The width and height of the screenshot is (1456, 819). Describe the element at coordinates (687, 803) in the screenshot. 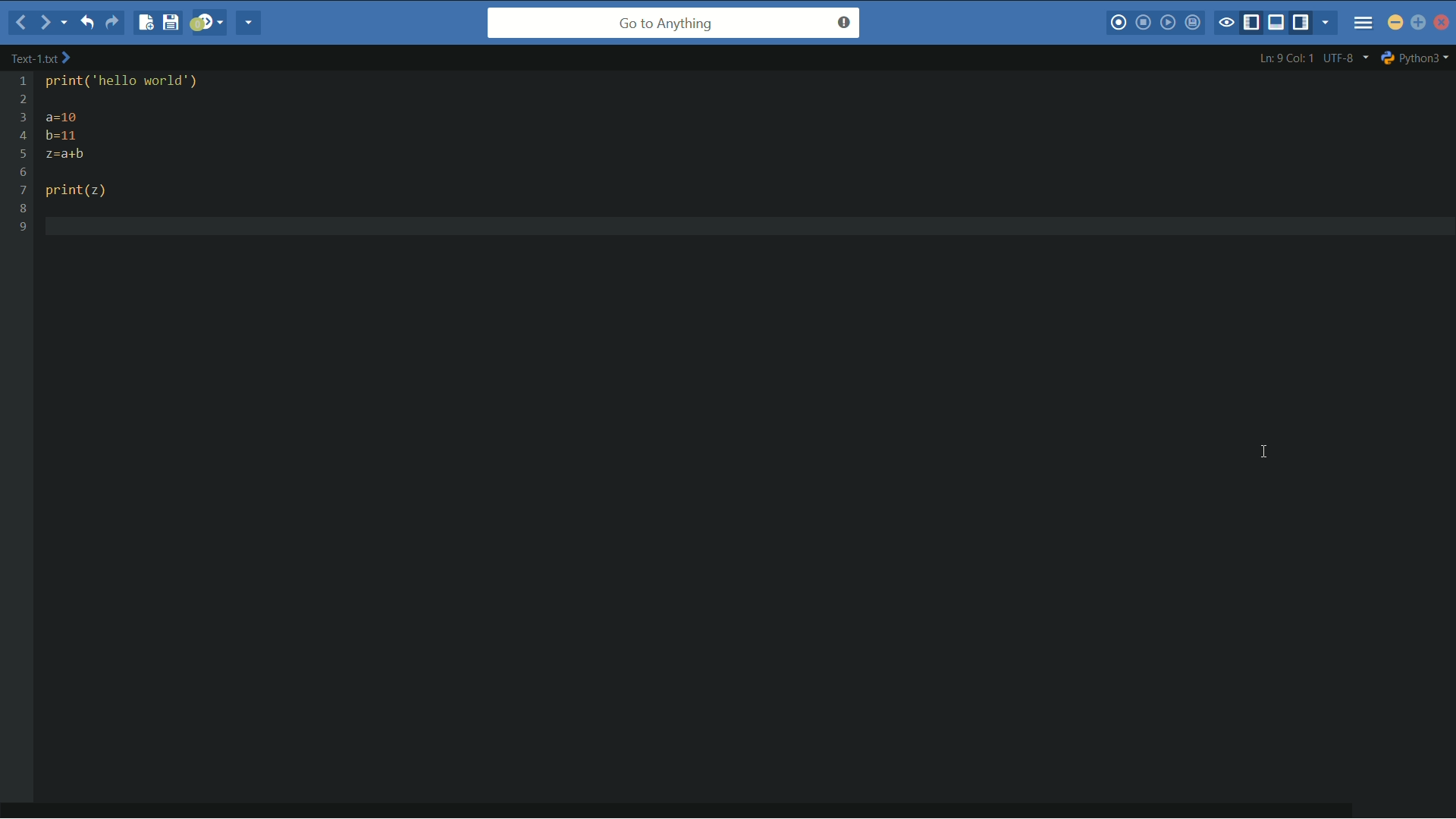

I see `horizontal scroll bar` at that location.